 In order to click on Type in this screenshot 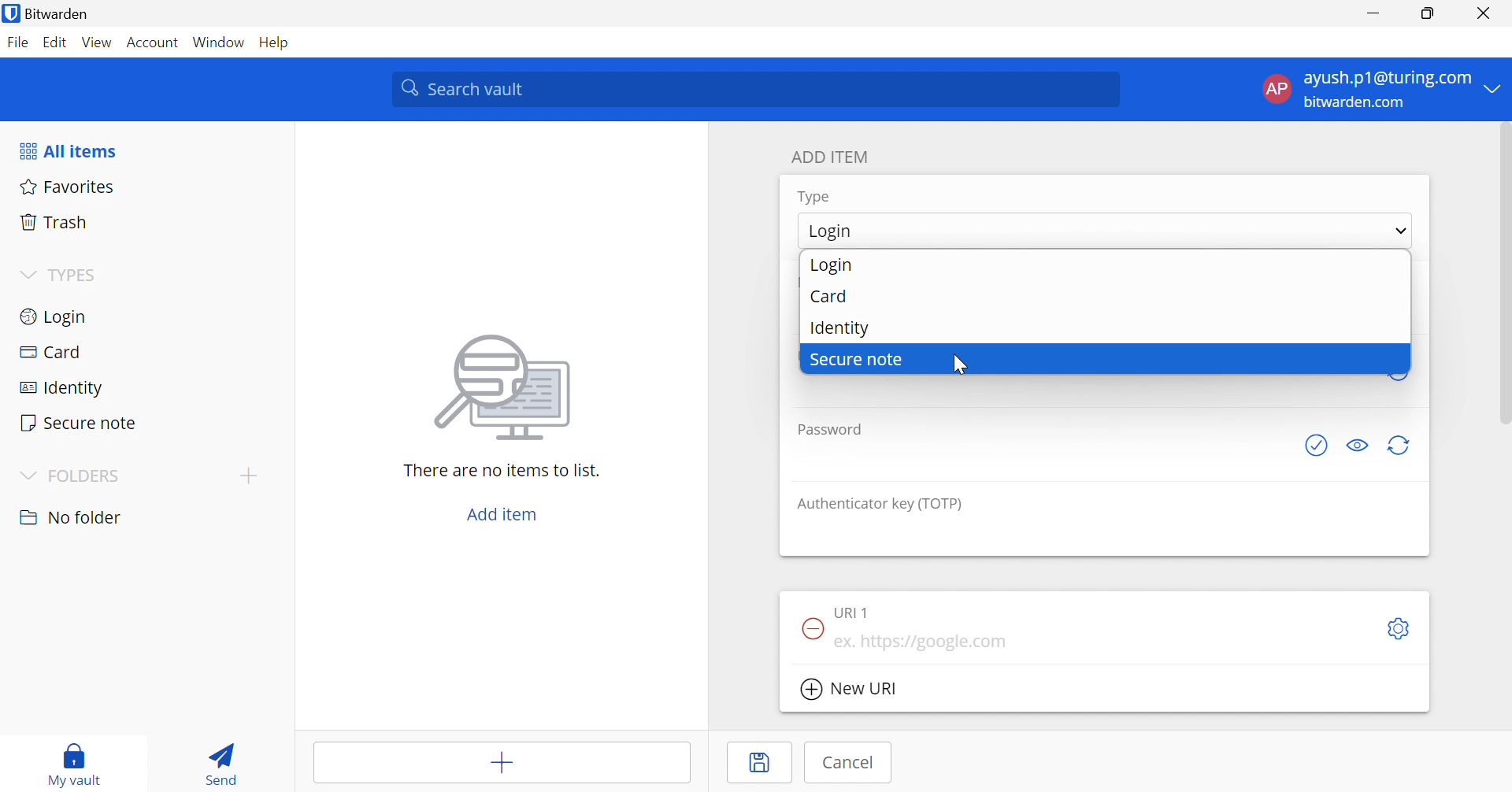, I will do `click(815, 198)`.